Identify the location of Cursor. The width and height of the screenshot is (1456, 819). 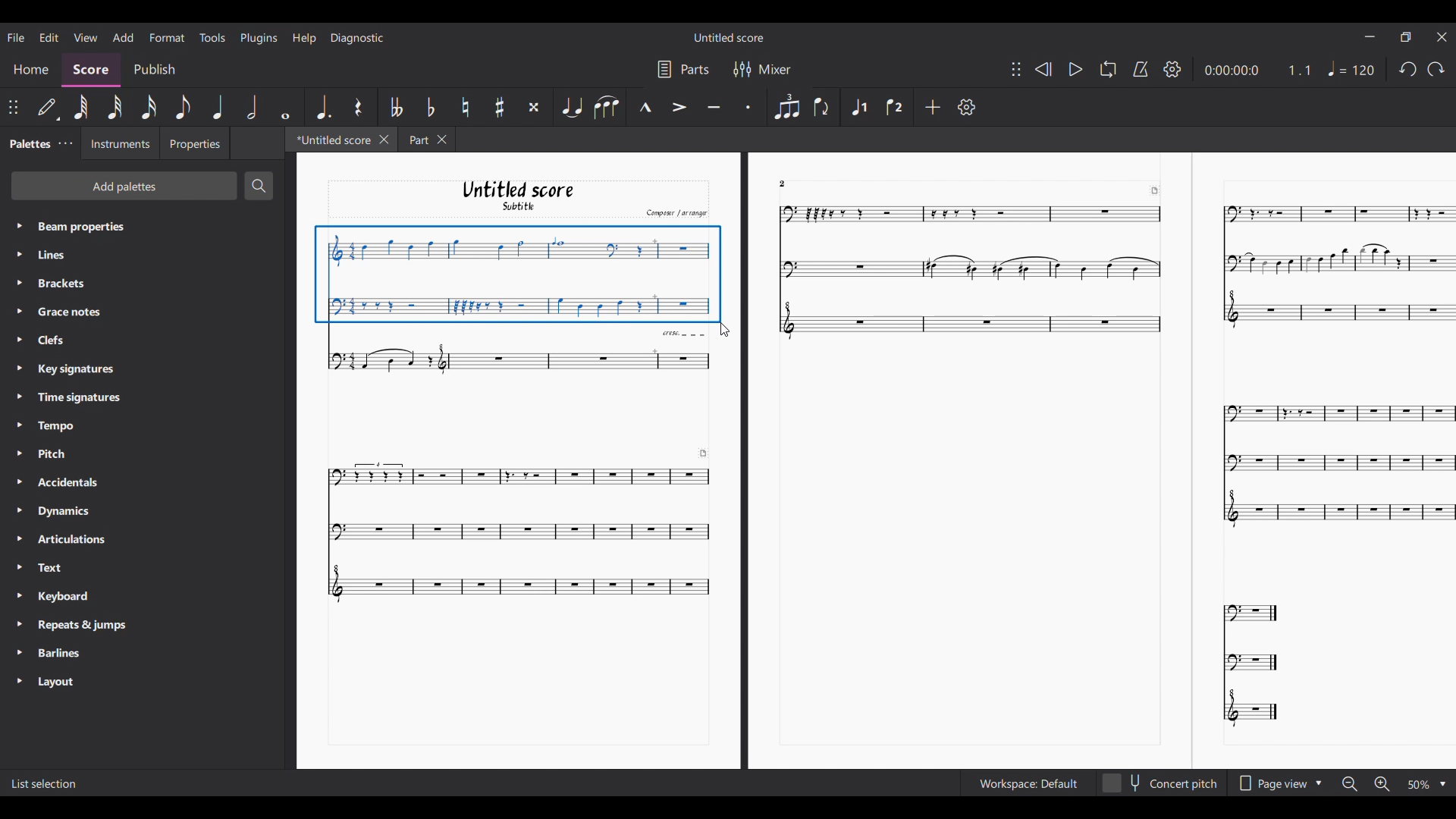
(726, 330).